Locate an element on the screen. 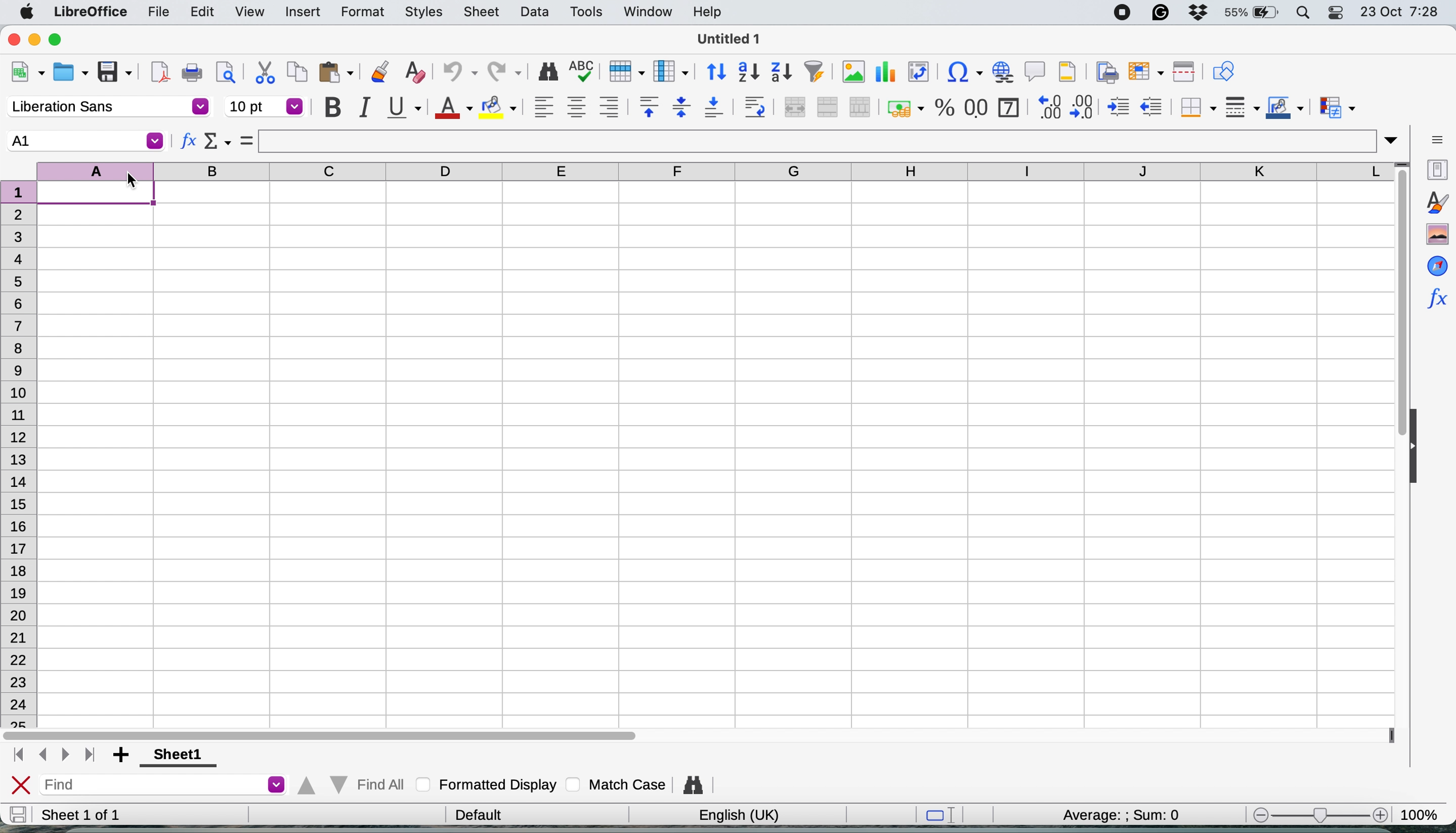 The width and height of the screenshot is (1456, 833). cursor is located at coordinates (137, 181).